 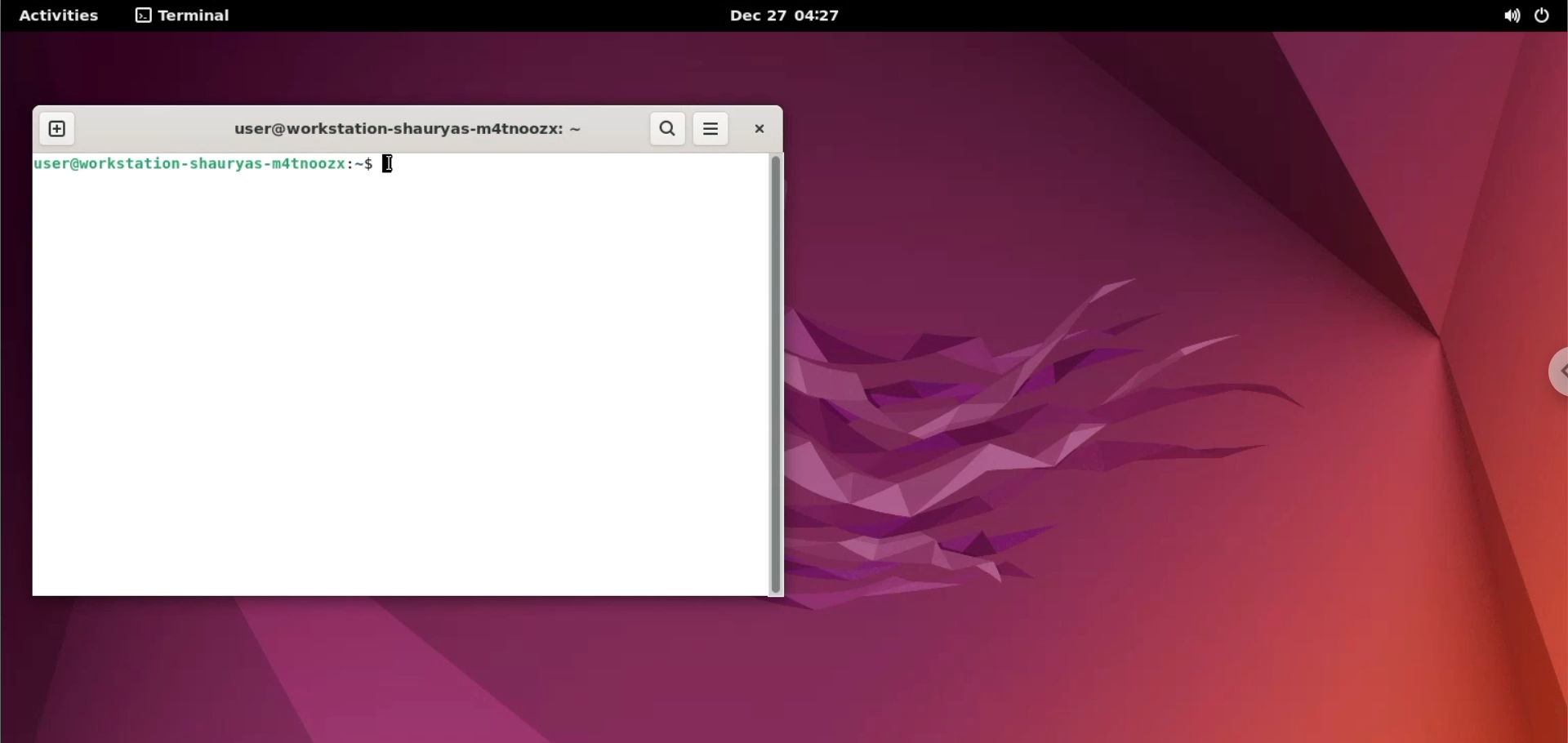 I want to click on sound options, so click(x=1508, y=18).